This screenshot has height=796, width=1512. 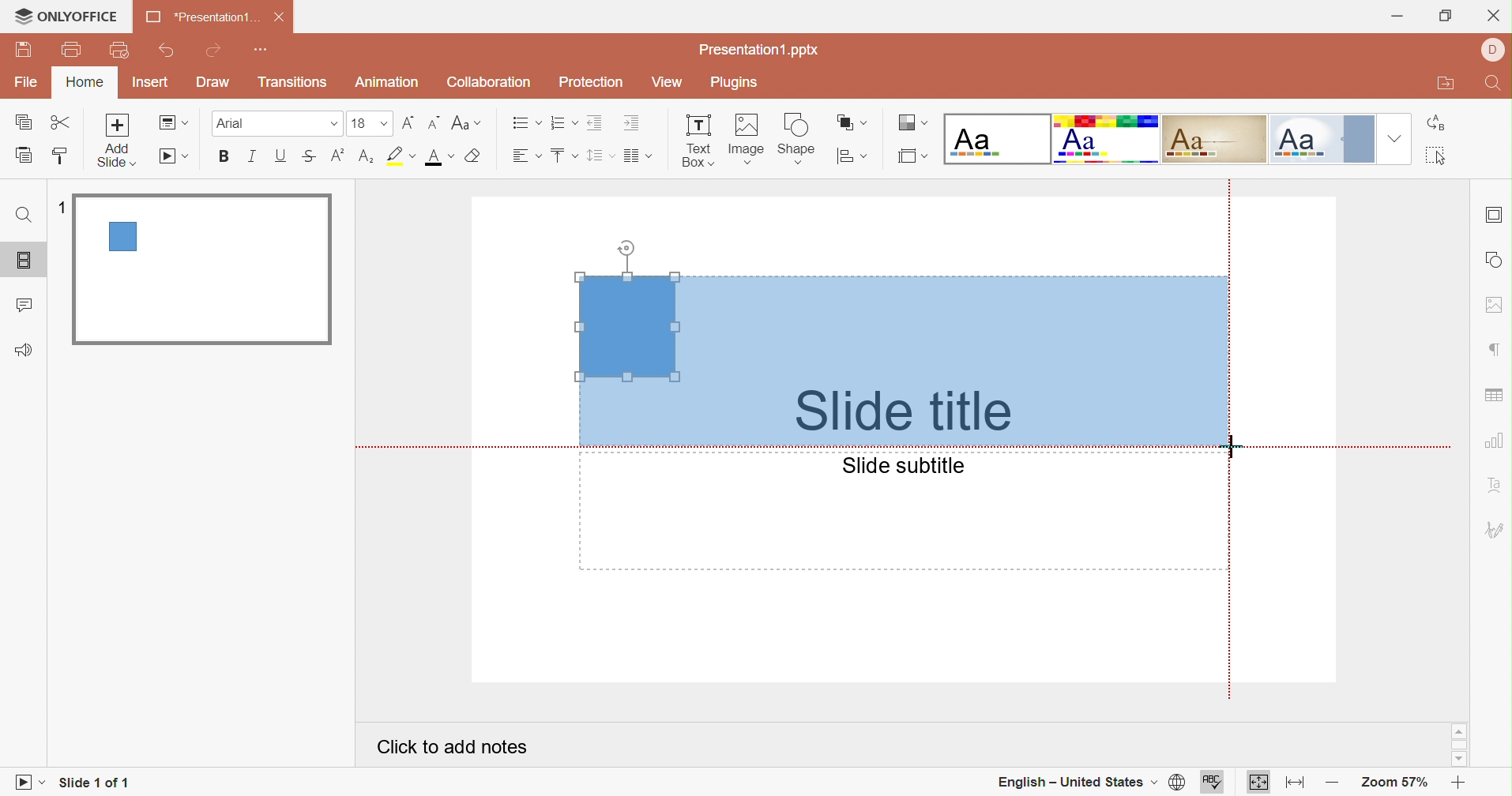 I want to click on Bold, so click(x=226, y=156).